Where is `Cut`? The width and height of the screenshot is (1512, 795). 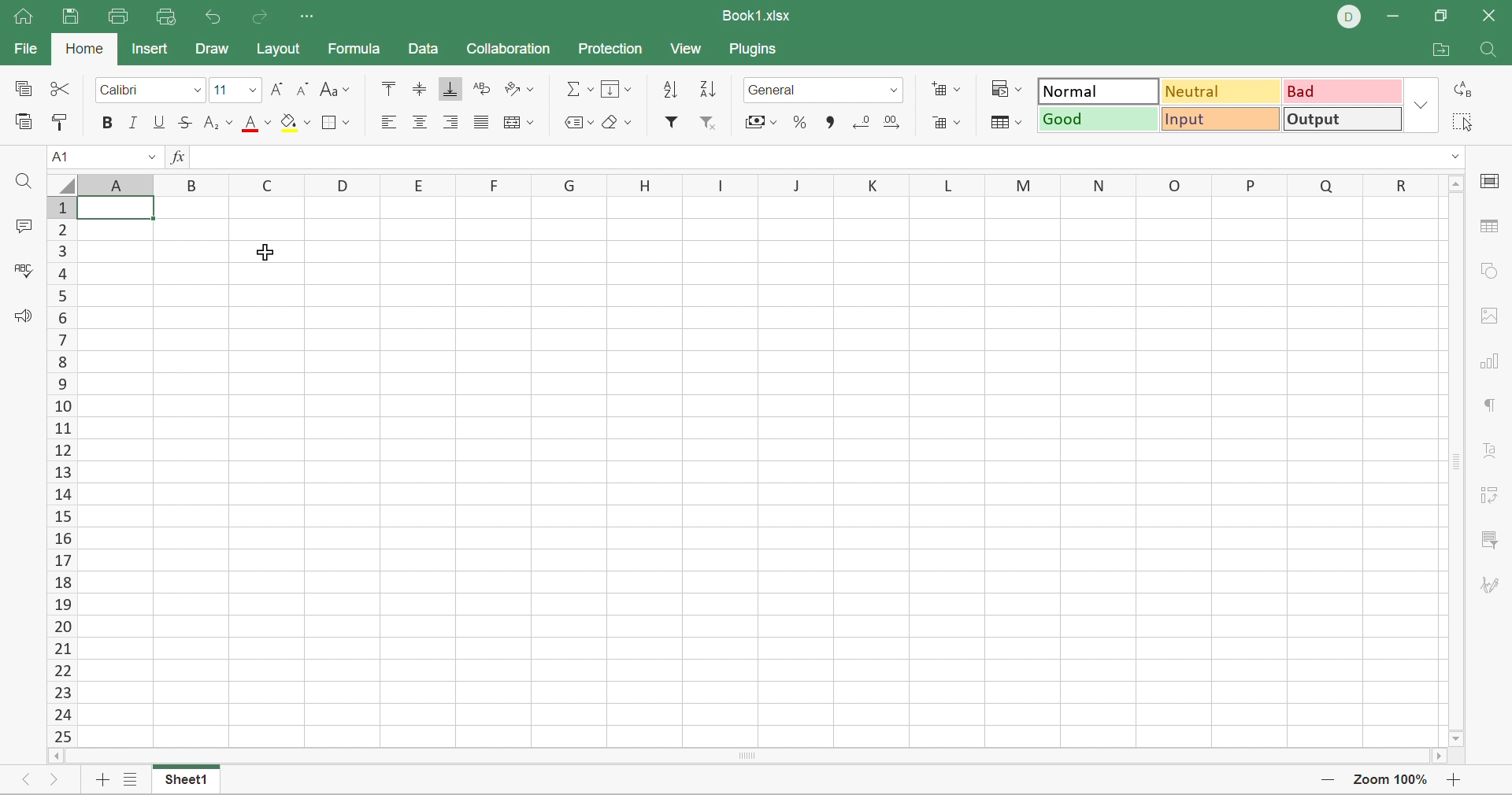
Cut is located at coordinates (61, 87).